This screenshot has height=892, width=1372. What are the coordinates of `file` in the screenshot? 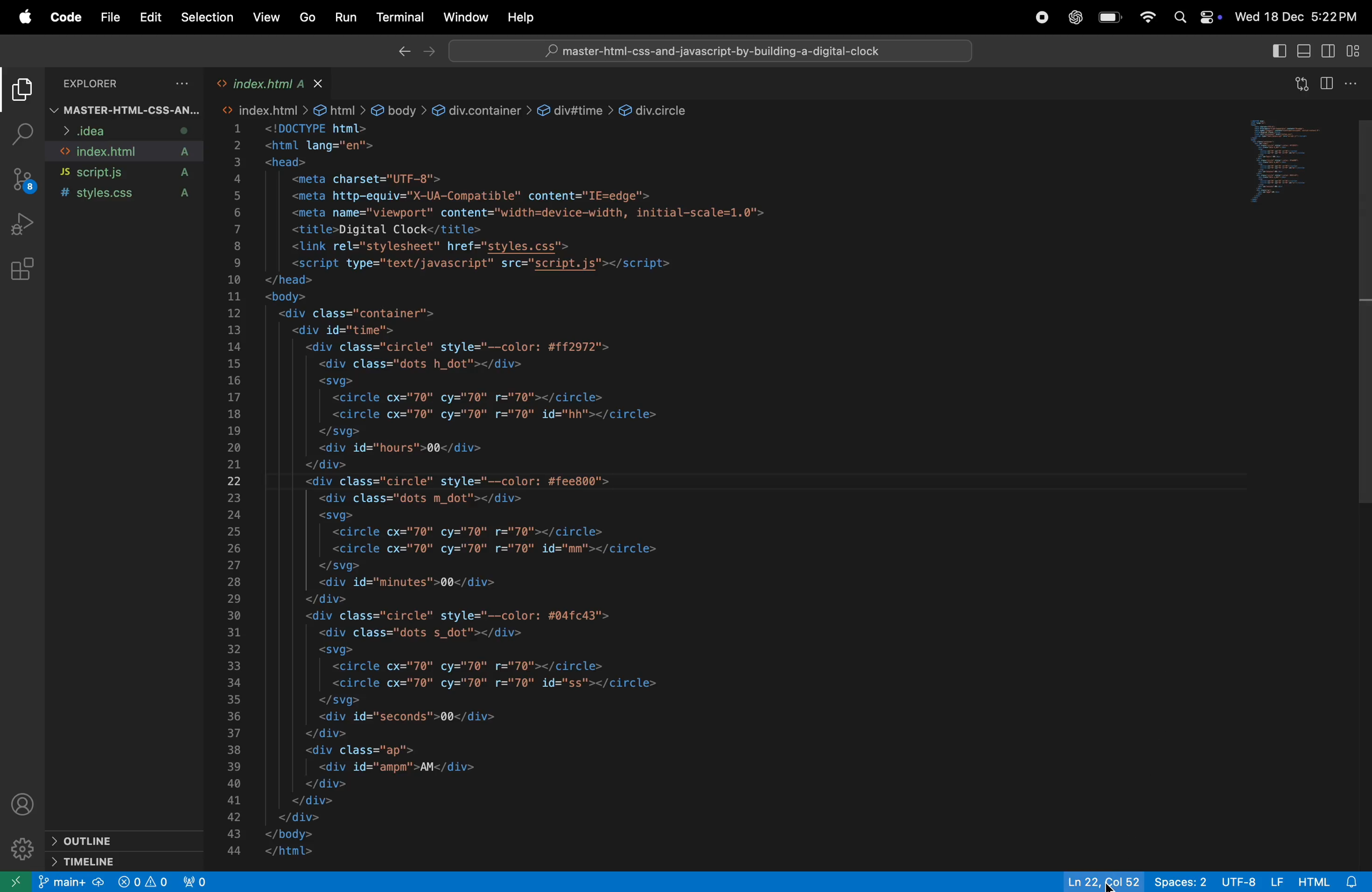 It's located at (112, 18).